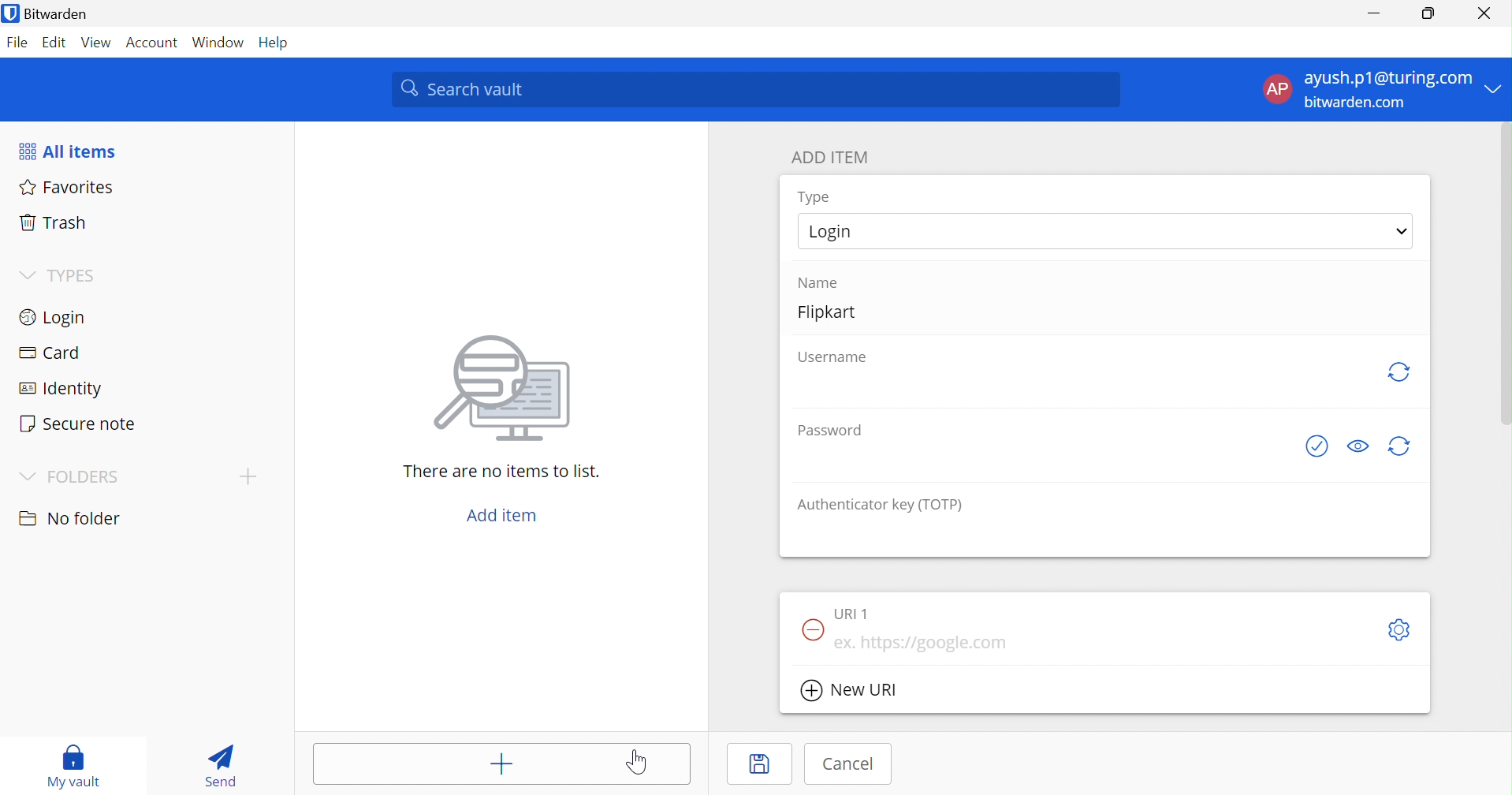 Image resolution: width=1512 pixels, height=795 pixels. What do you see at coordinates (58, 15) in the screenshot?
I see `Bitwarden` at bounding box center [58, 15].